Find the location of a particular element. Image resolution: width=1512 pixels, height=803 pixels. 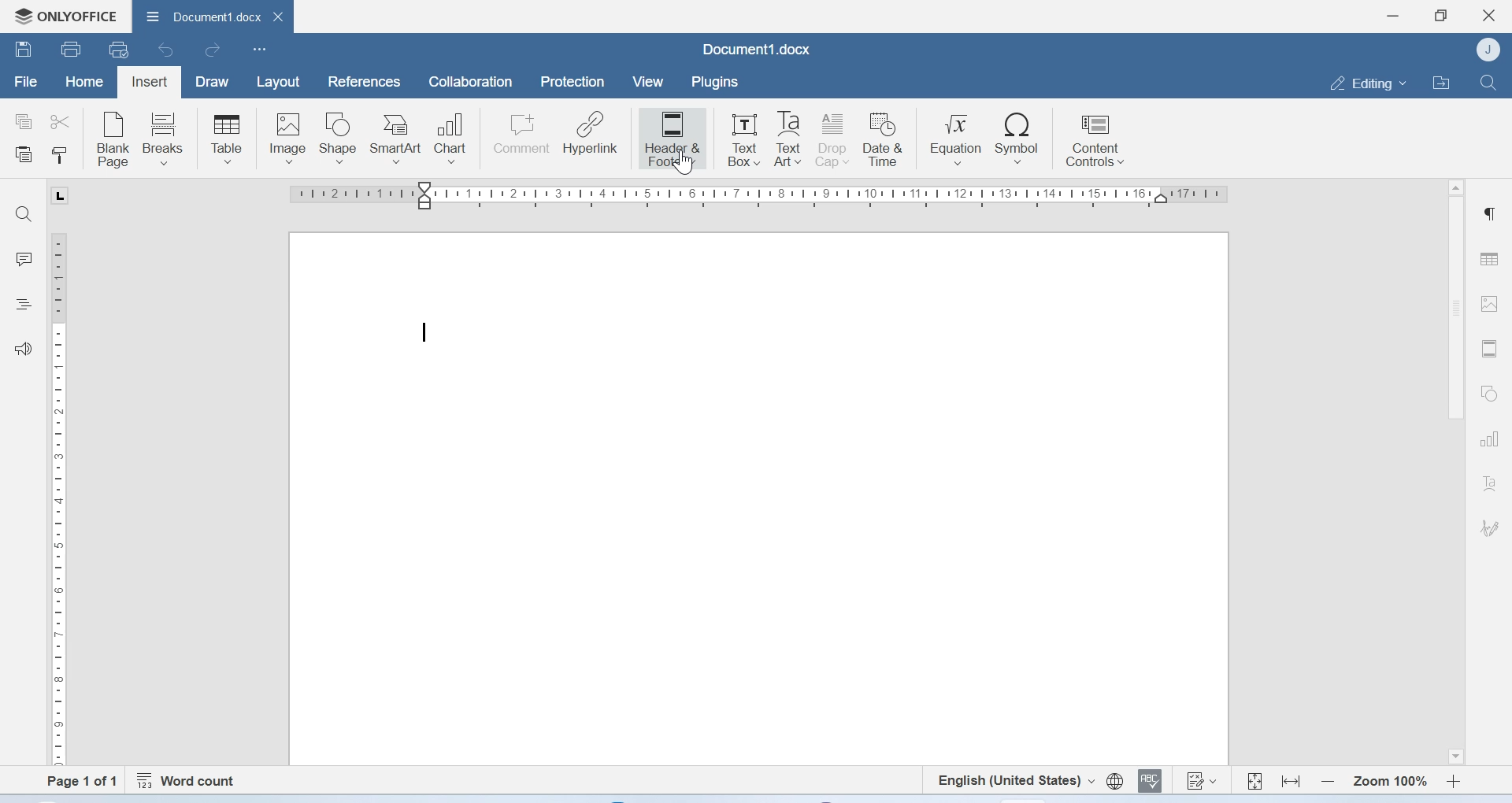

Text Box is located at coordinates (739, 136).